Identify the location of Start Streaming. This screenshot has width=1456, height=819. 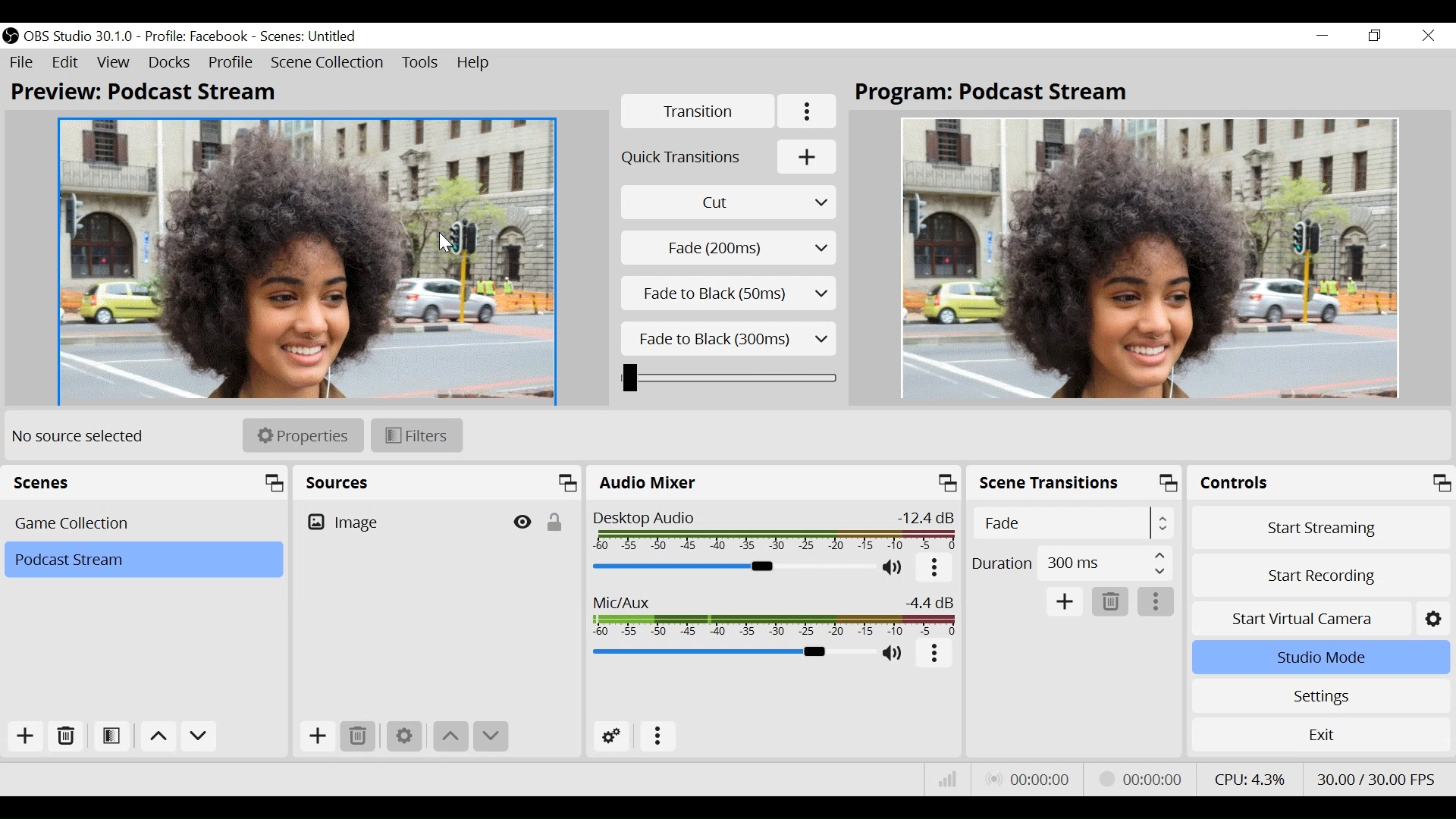
(1321, 528).